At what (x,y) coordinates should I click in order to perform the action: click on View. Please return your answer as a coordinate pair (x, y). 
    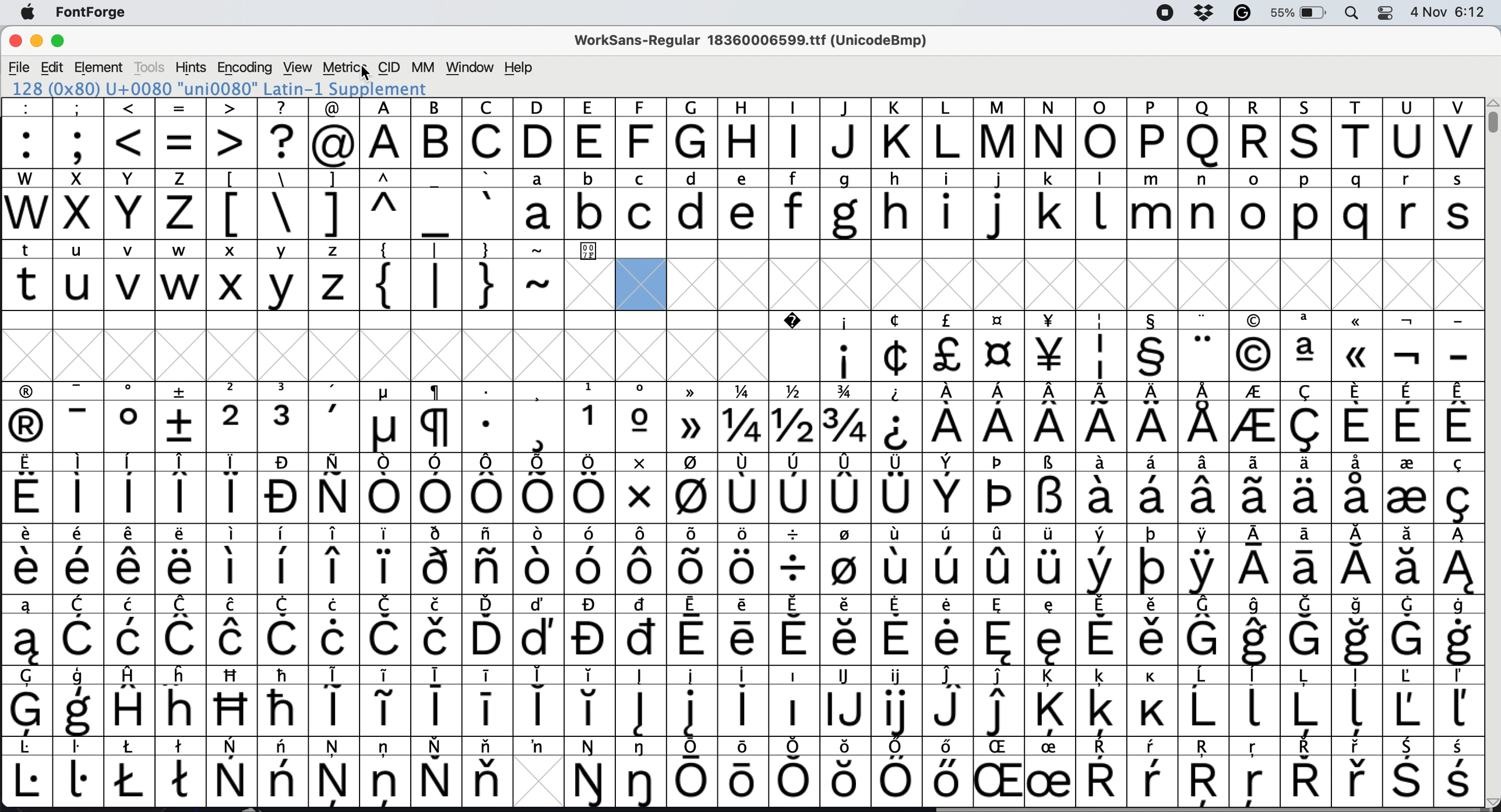
    Looking at the image, I should click on (297, 67).